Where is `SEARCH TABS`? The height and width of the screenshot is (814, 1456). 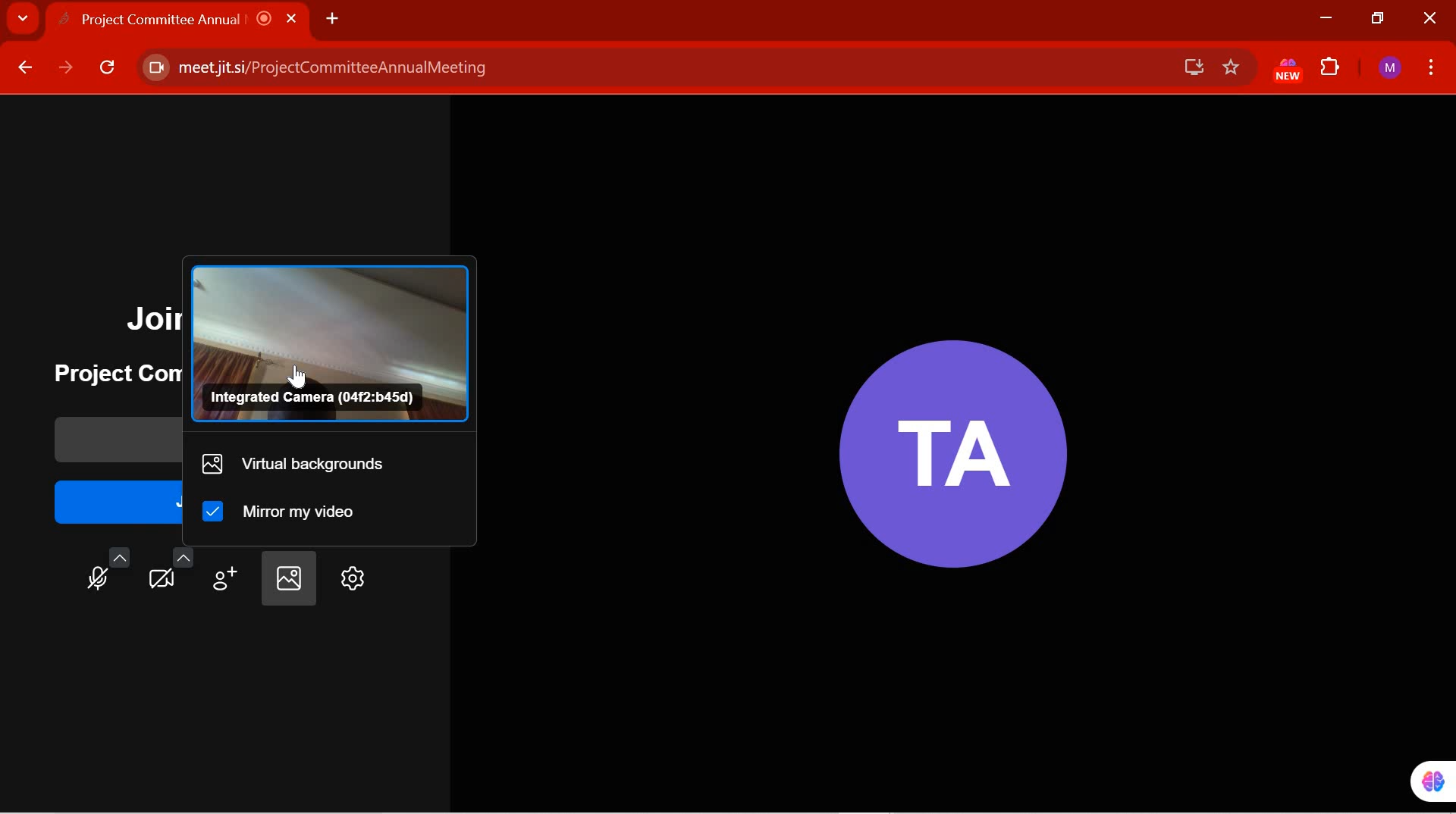 SEARCH TABS is located at coordinates (23, 20).